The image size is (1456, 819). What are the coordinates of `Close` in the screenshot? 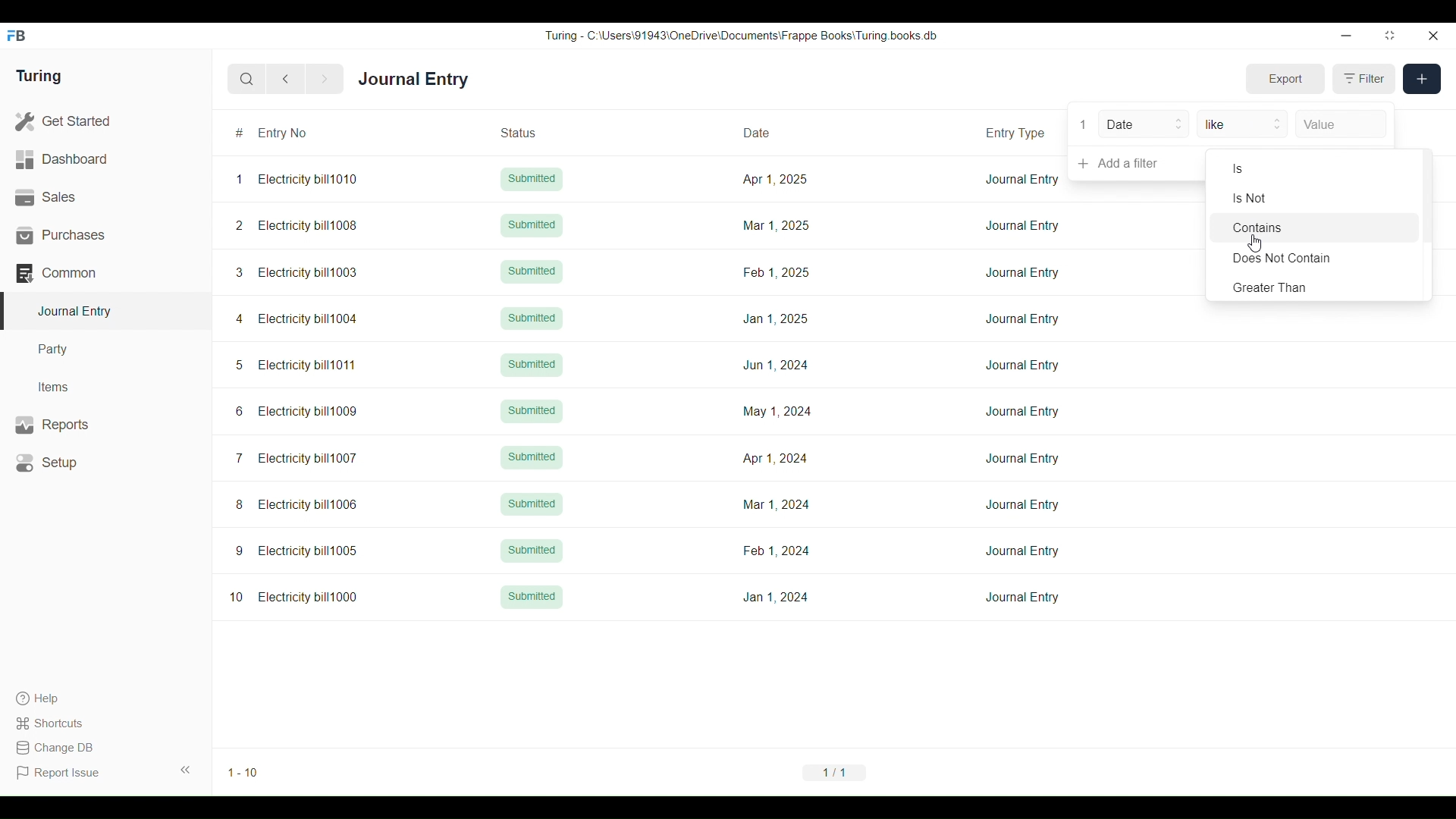 It's located at (1433, 36).